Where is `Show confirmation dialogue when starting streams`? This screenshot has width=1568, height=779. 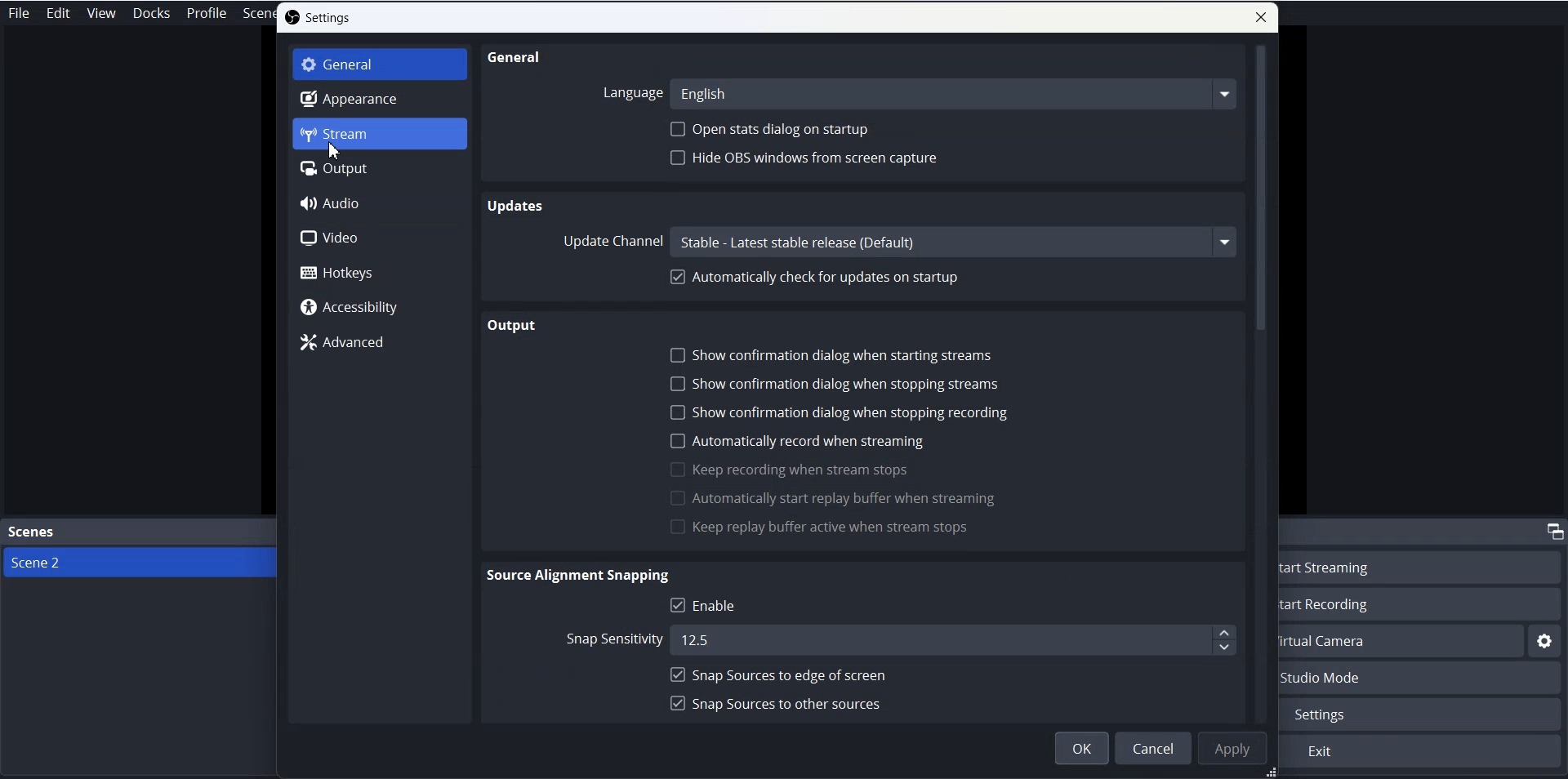 Show confirmation dialogue when starting streams is located at coordinates (831, 354).